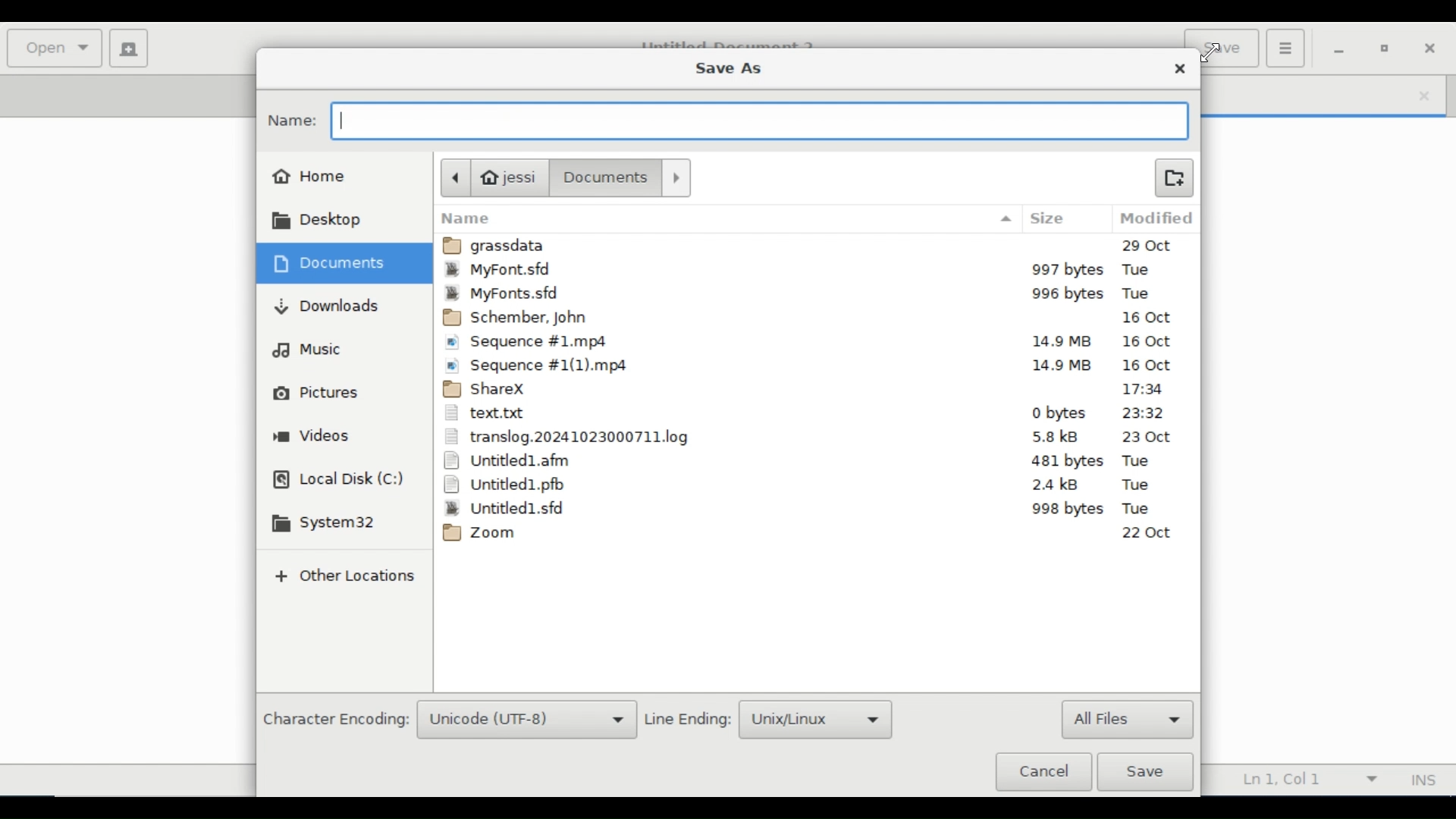 The width and height of the screenshot is (1456, 819). Describe the element at coordinates (337, 481) in the screenshot. I see `Local Disk(C)` at that location.